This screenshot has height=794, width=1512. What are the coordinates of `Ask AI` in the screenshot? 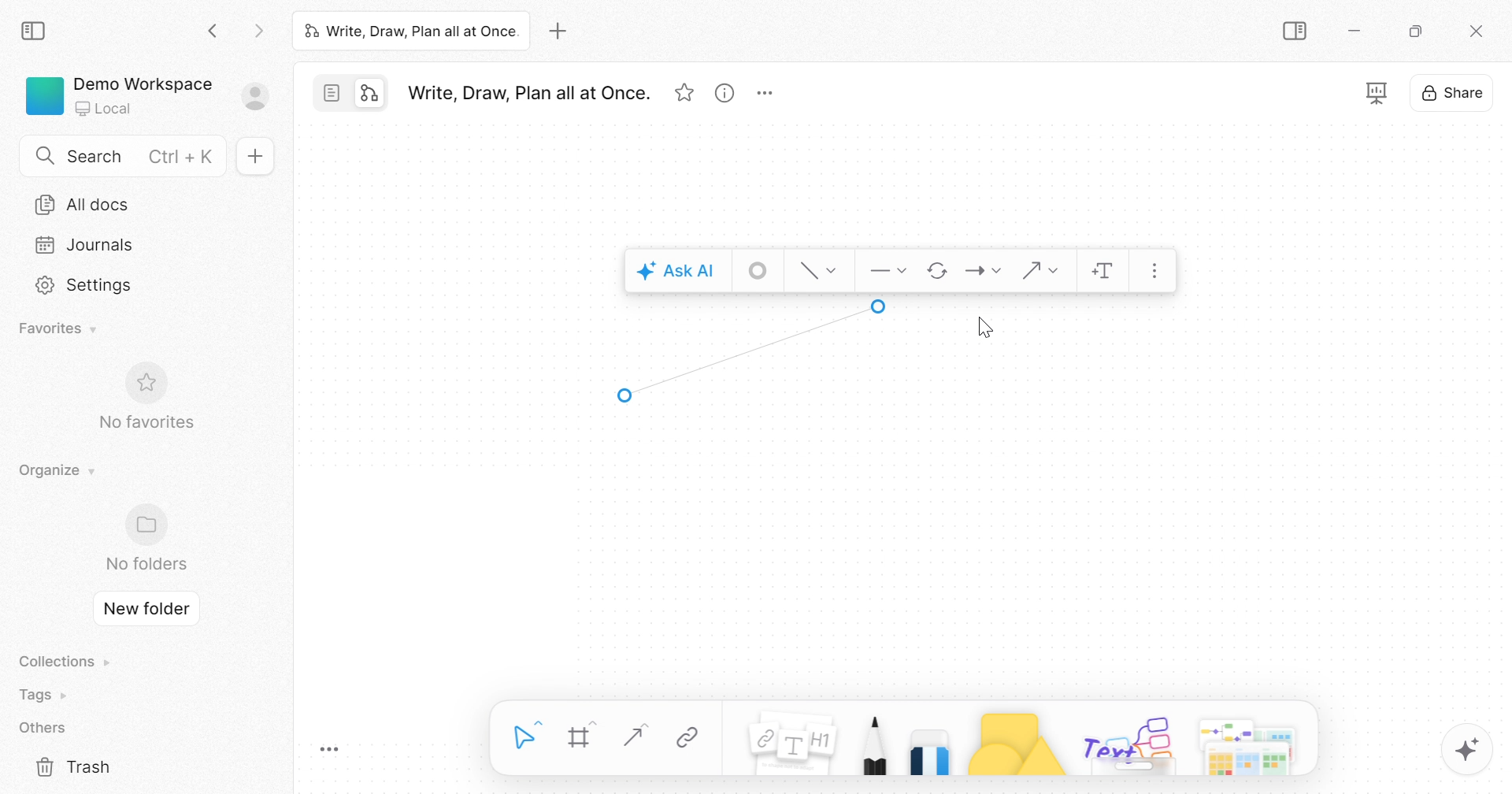 It's located at (676, 273).